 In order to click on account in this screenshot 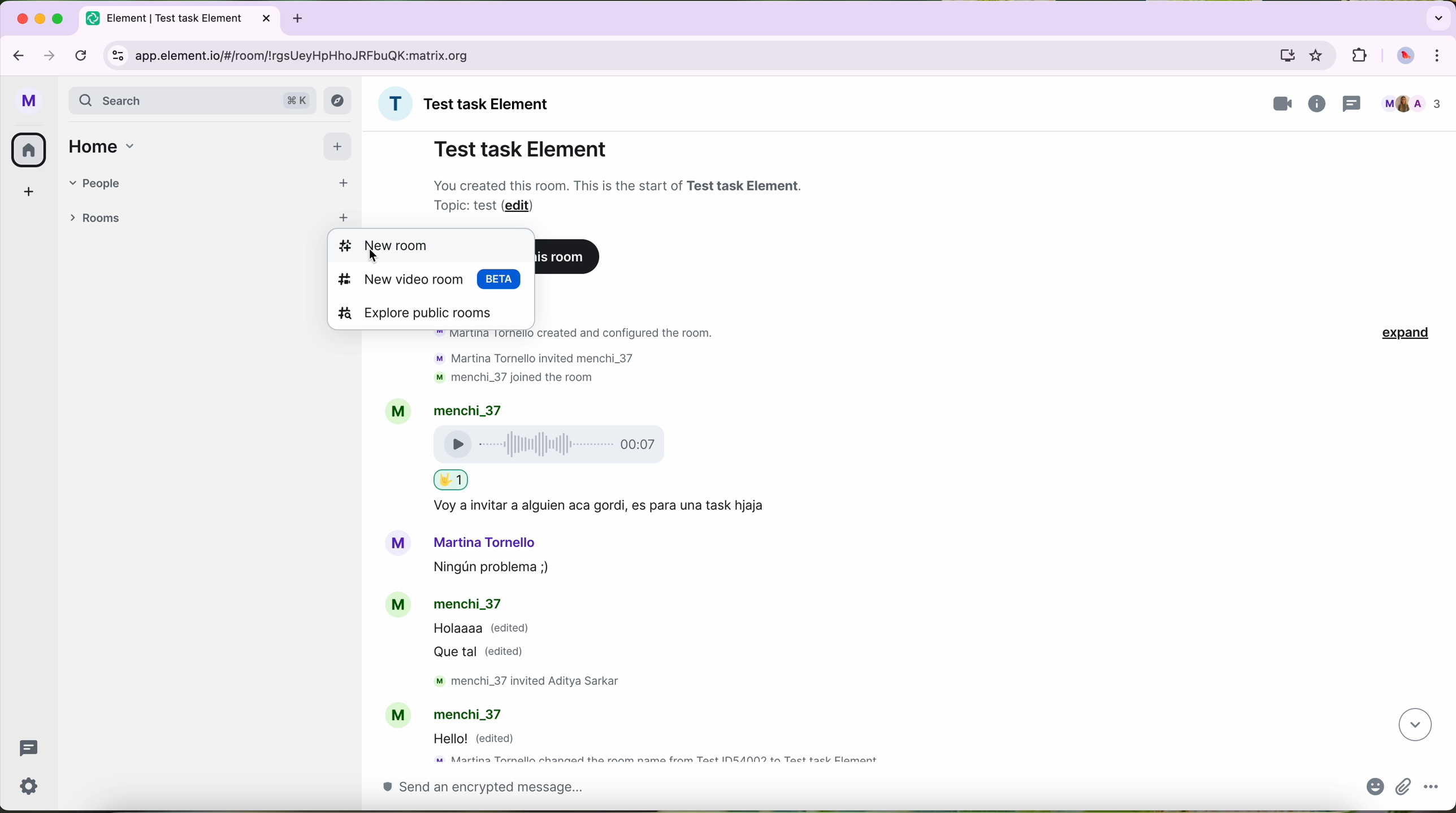, I will do `click(451, 602)`.